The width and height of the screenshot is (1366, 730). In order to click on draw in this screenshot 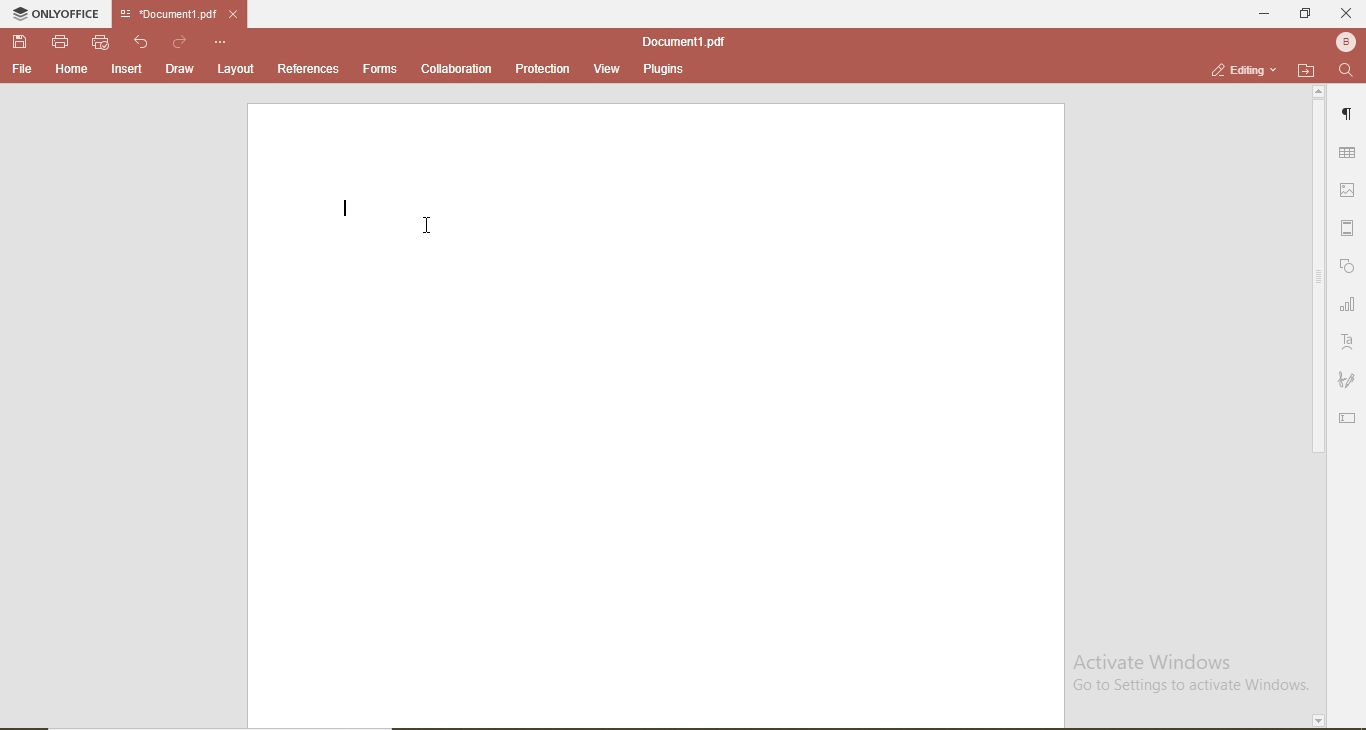, I will do `click(179, 69)`.